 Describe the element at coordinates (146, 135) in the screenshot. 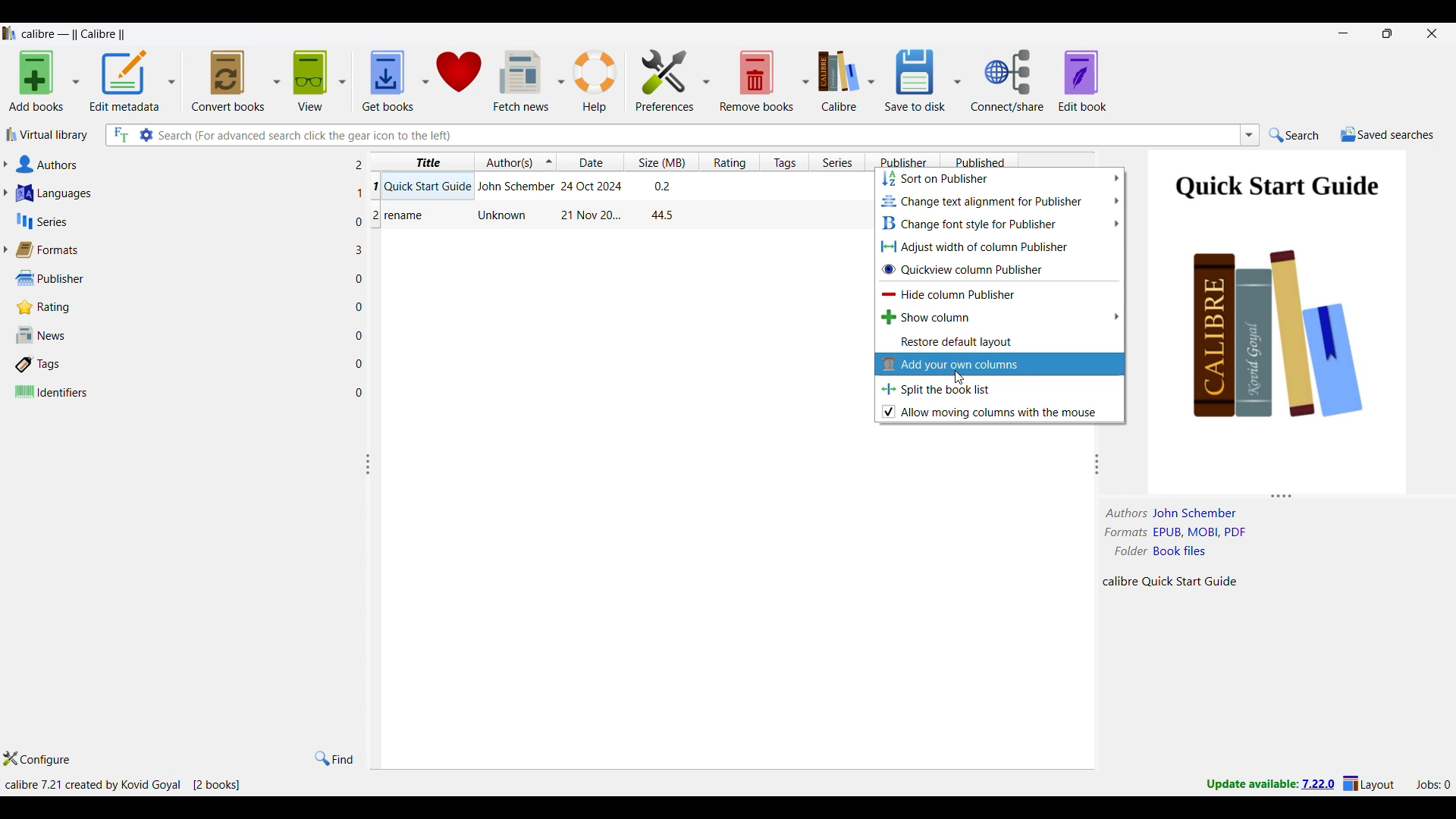

I see `Advanced search` at that location.